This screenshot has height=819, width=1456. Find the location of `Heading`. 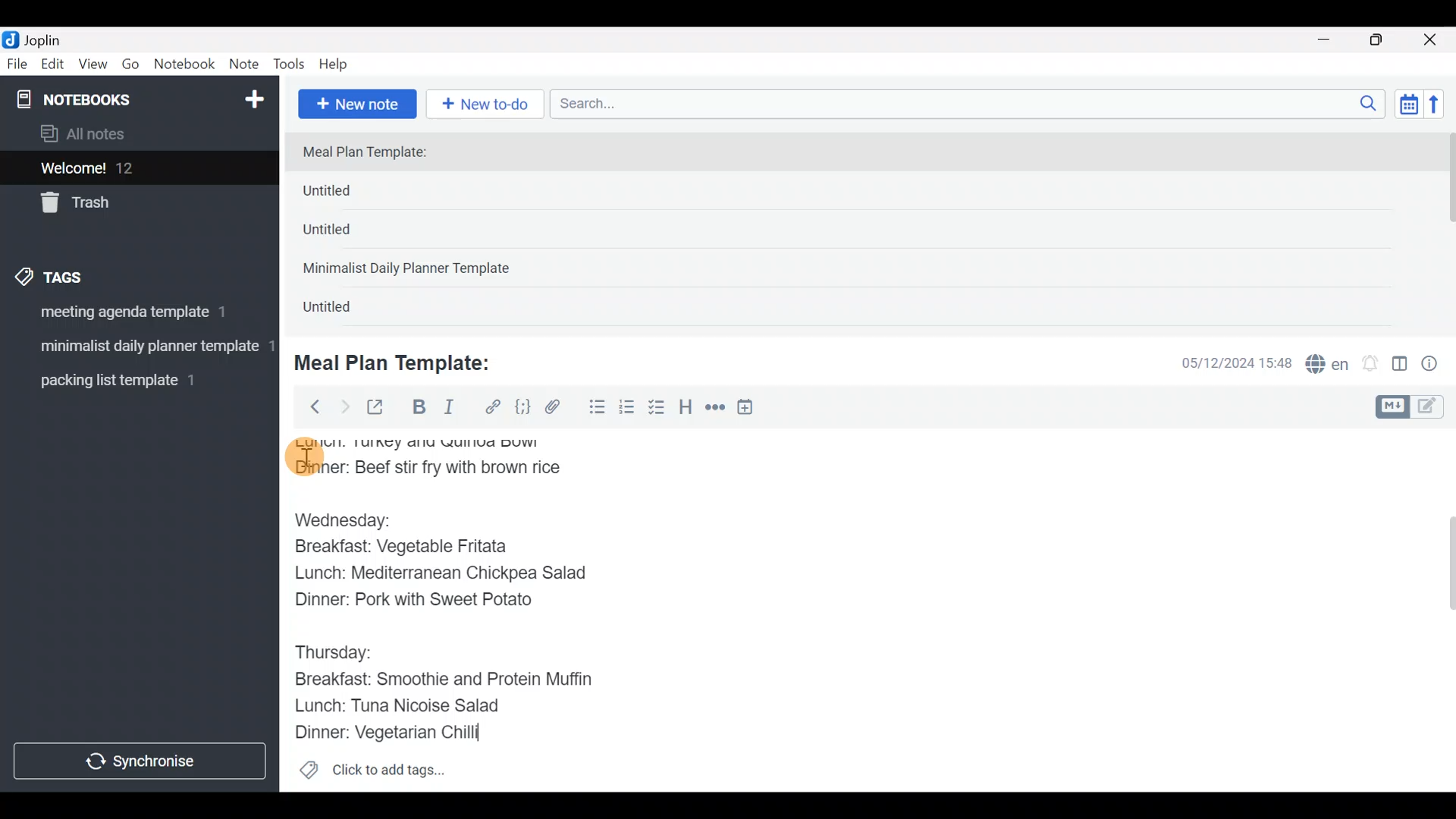

Heading is located at coordinates (686, 409).